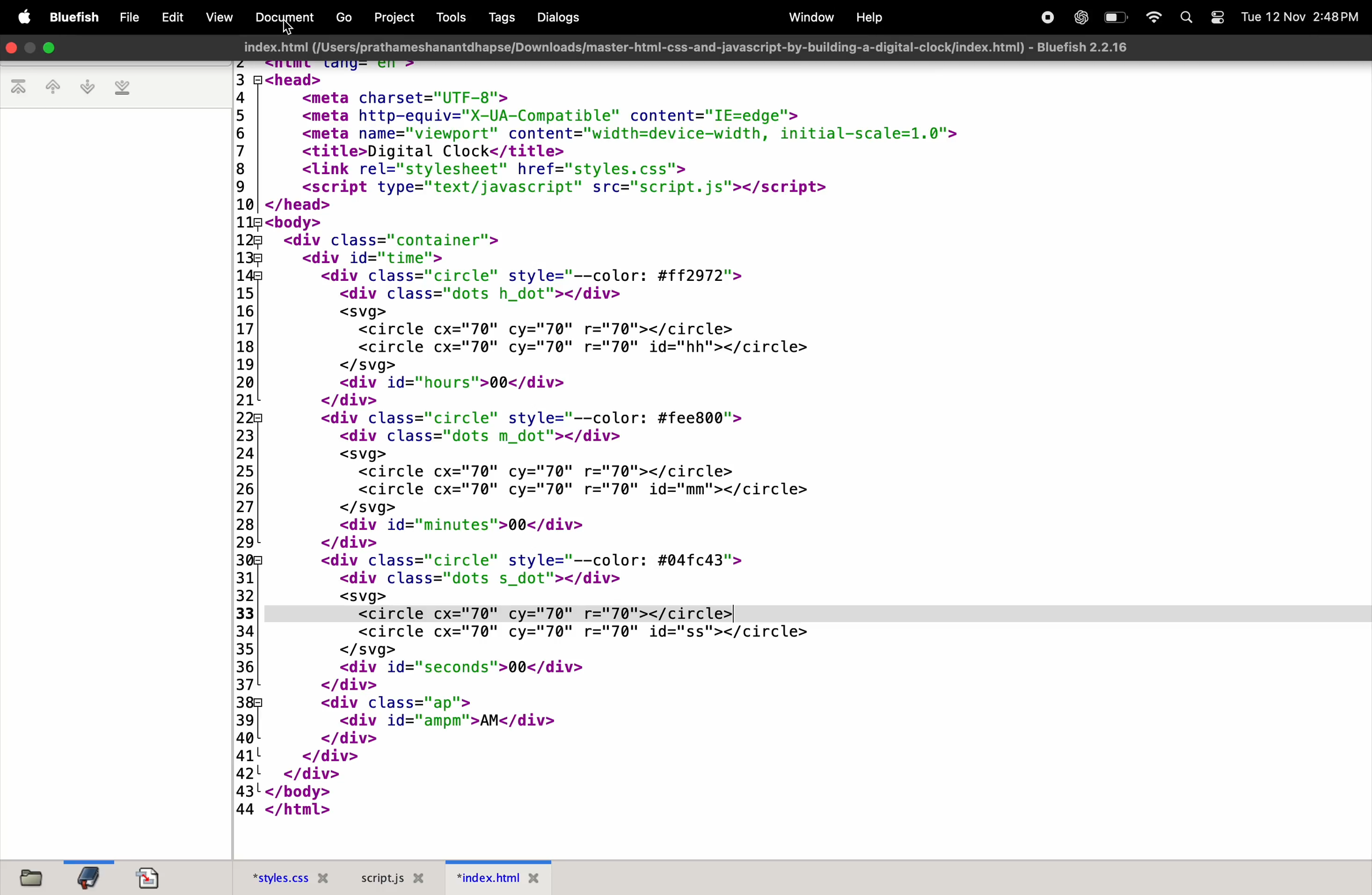 The image size is (1372, 895). Describe the element at coordinates (34, 877) in the screenshot. I see `file` at that location.